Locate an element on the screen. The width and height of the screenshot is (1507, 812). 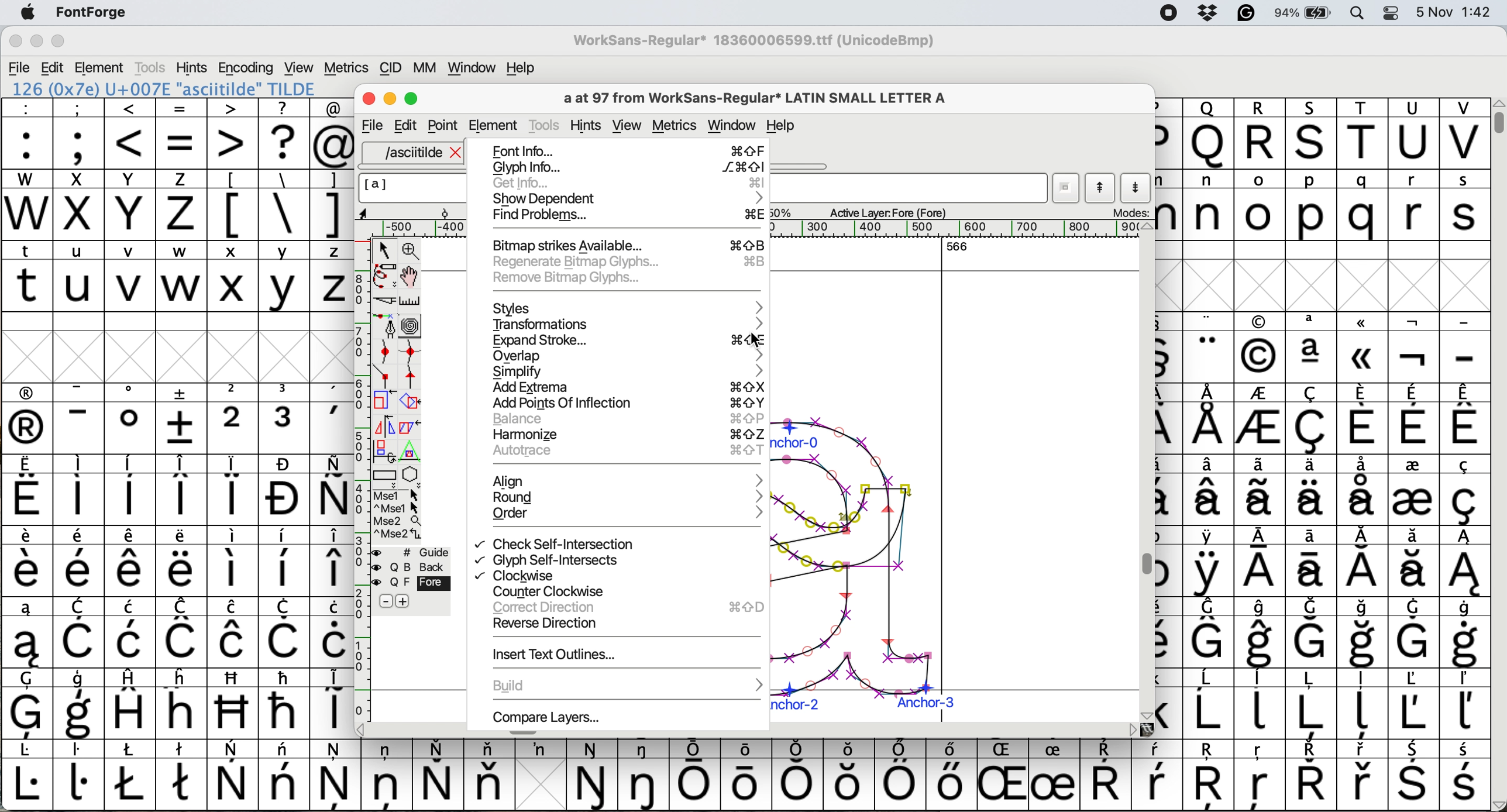
@ is located at coordinates (333, 134).